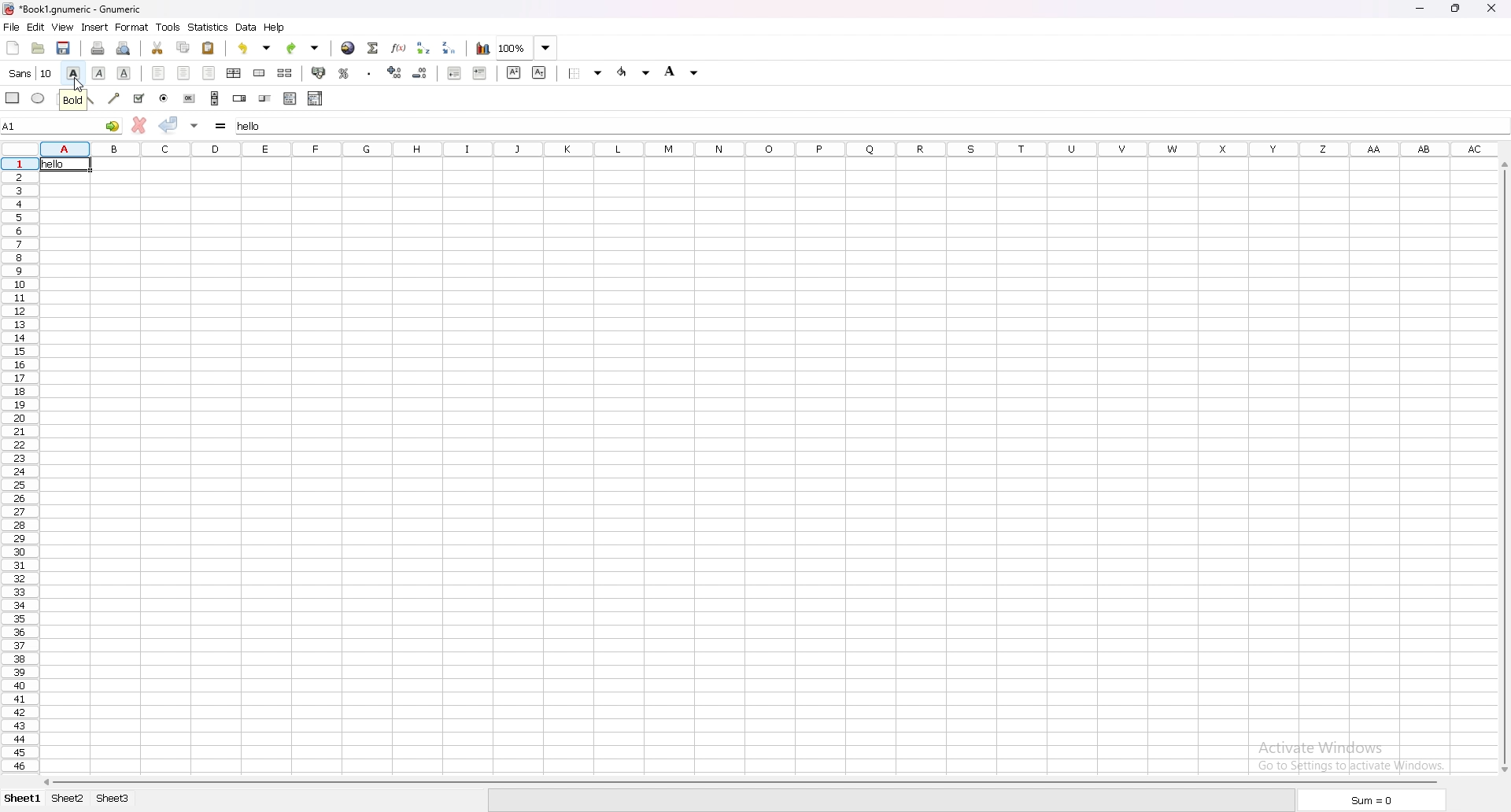 This screenshot has height=812, width=1511. Describe the element at coordinates (286, 72) in the screenshot. I see `split merged cell` at that location.